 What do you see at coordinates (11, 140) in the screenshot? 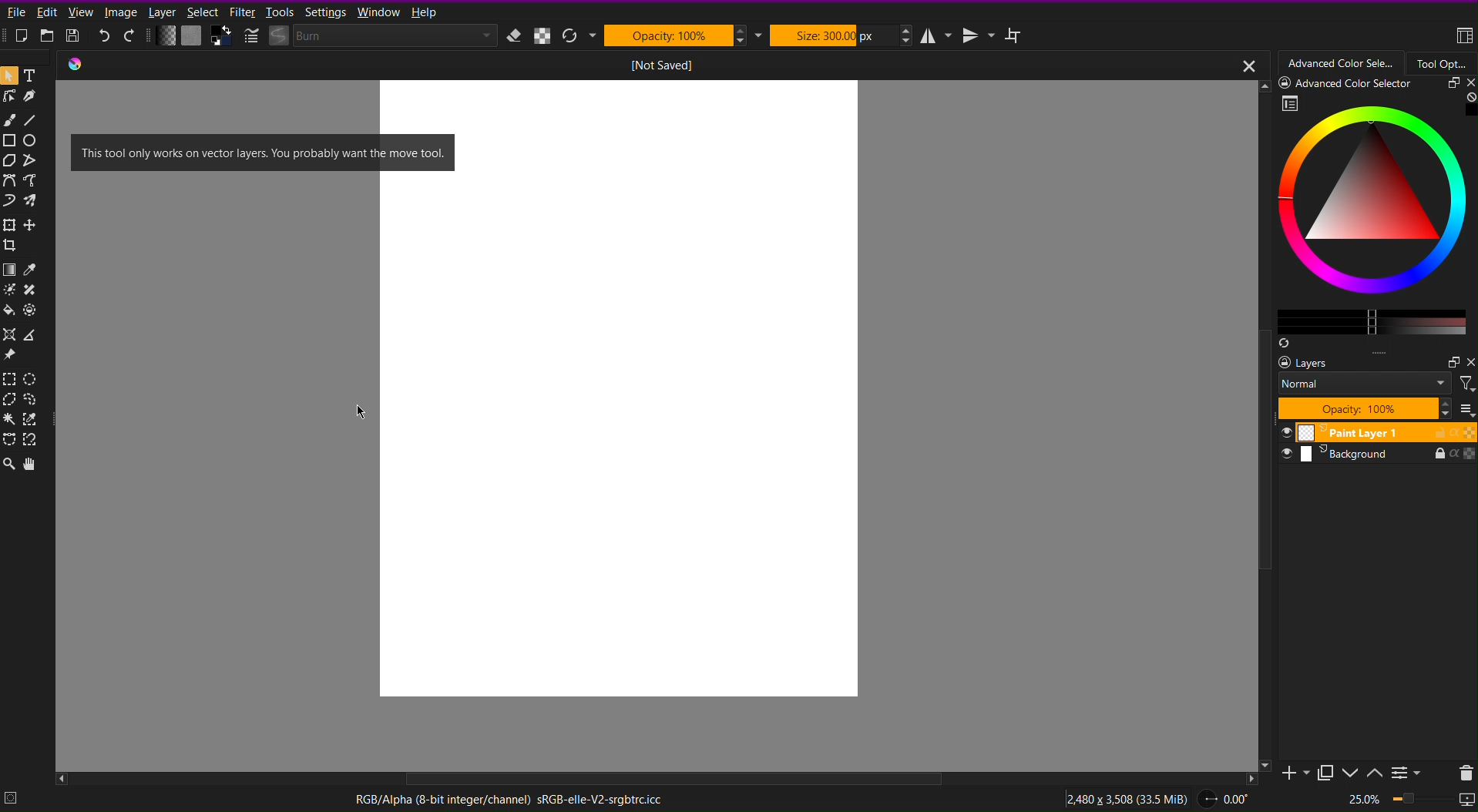
I see `Square` at bounding box center [11, 140].